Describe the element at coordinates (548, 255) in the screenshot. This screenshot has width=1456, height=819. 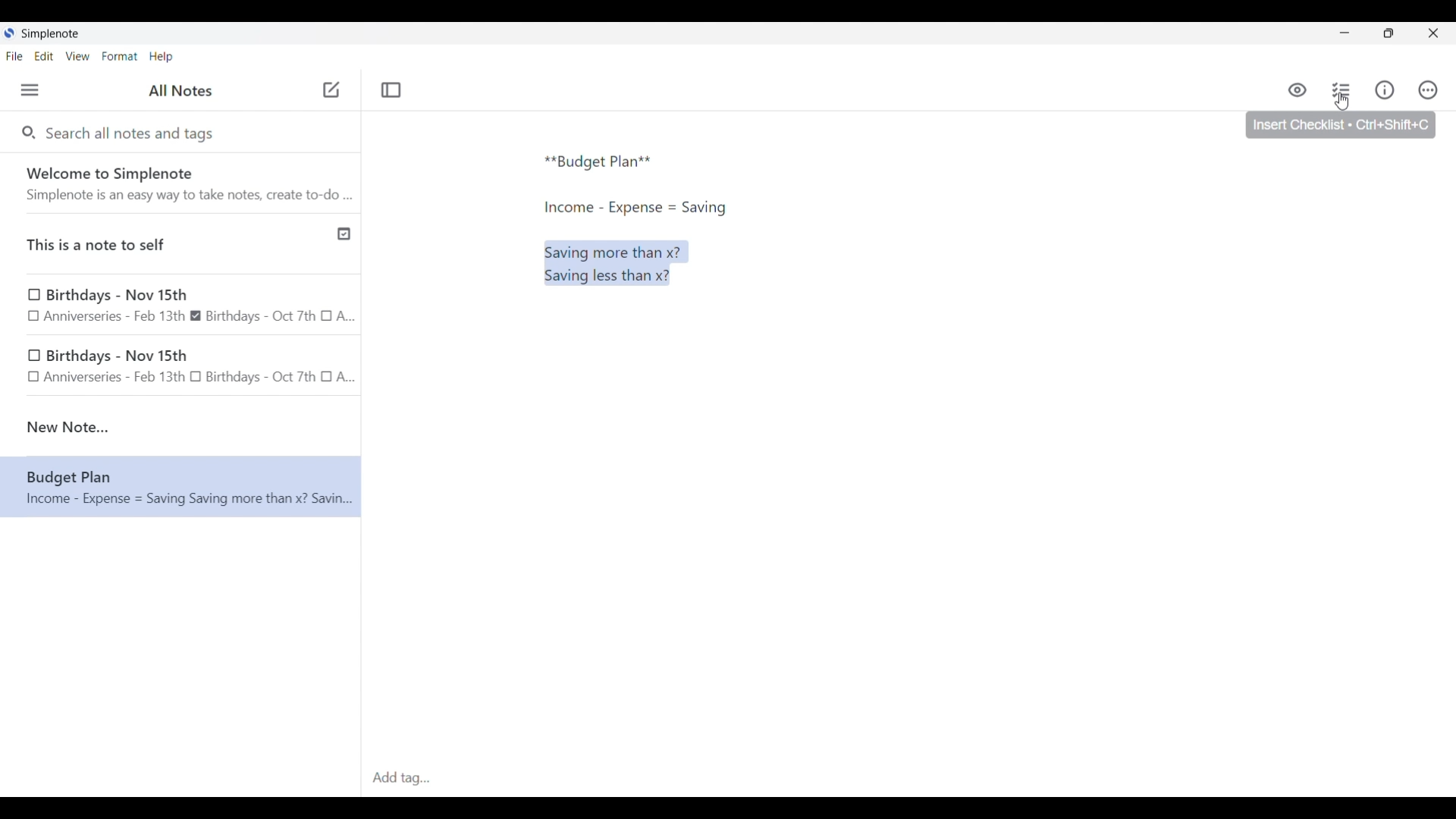
I see `Cursor unchanged after selecting text` at that location.